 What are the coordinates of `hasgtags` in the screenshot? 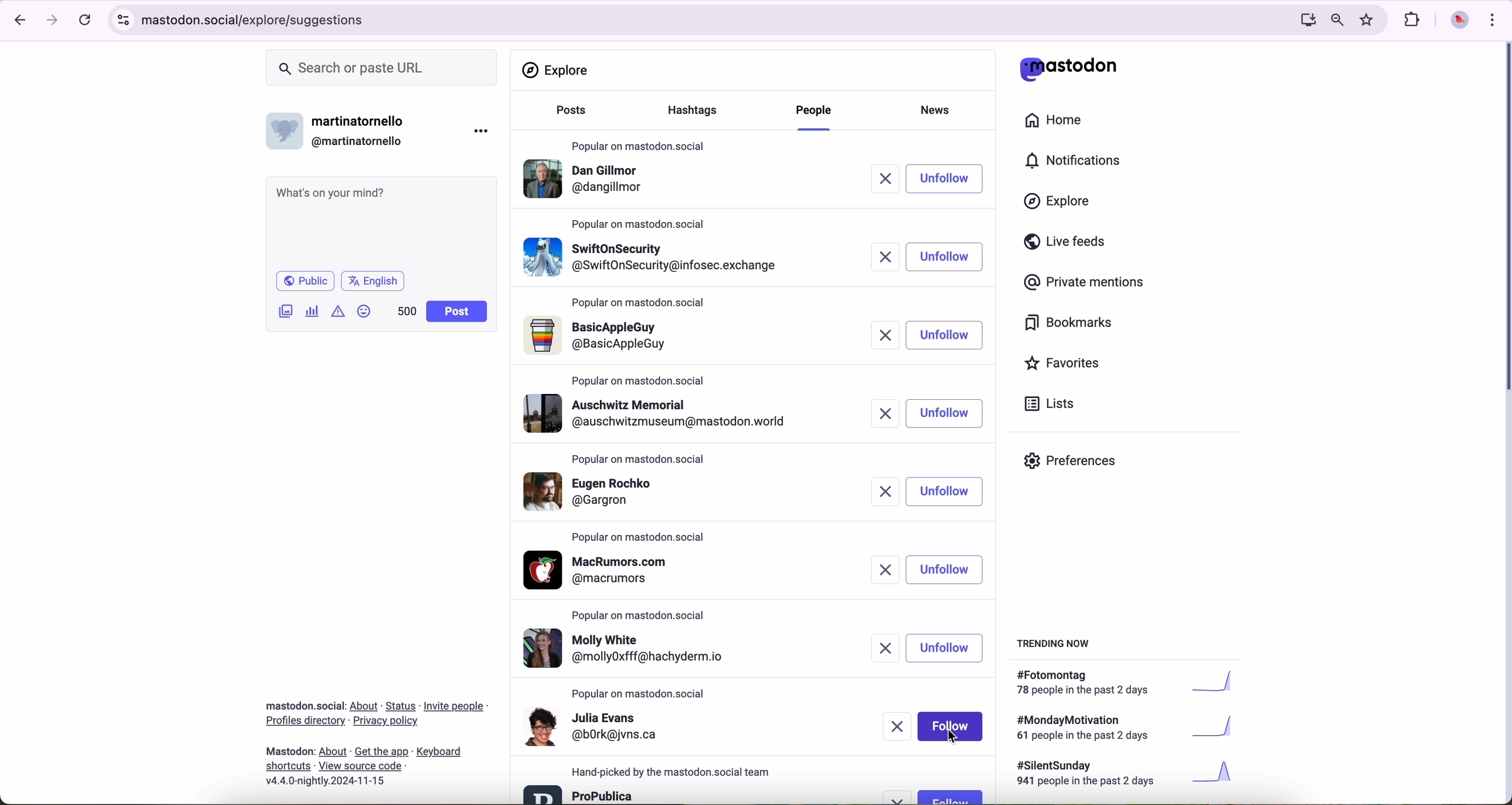 It's located at (699, 112).